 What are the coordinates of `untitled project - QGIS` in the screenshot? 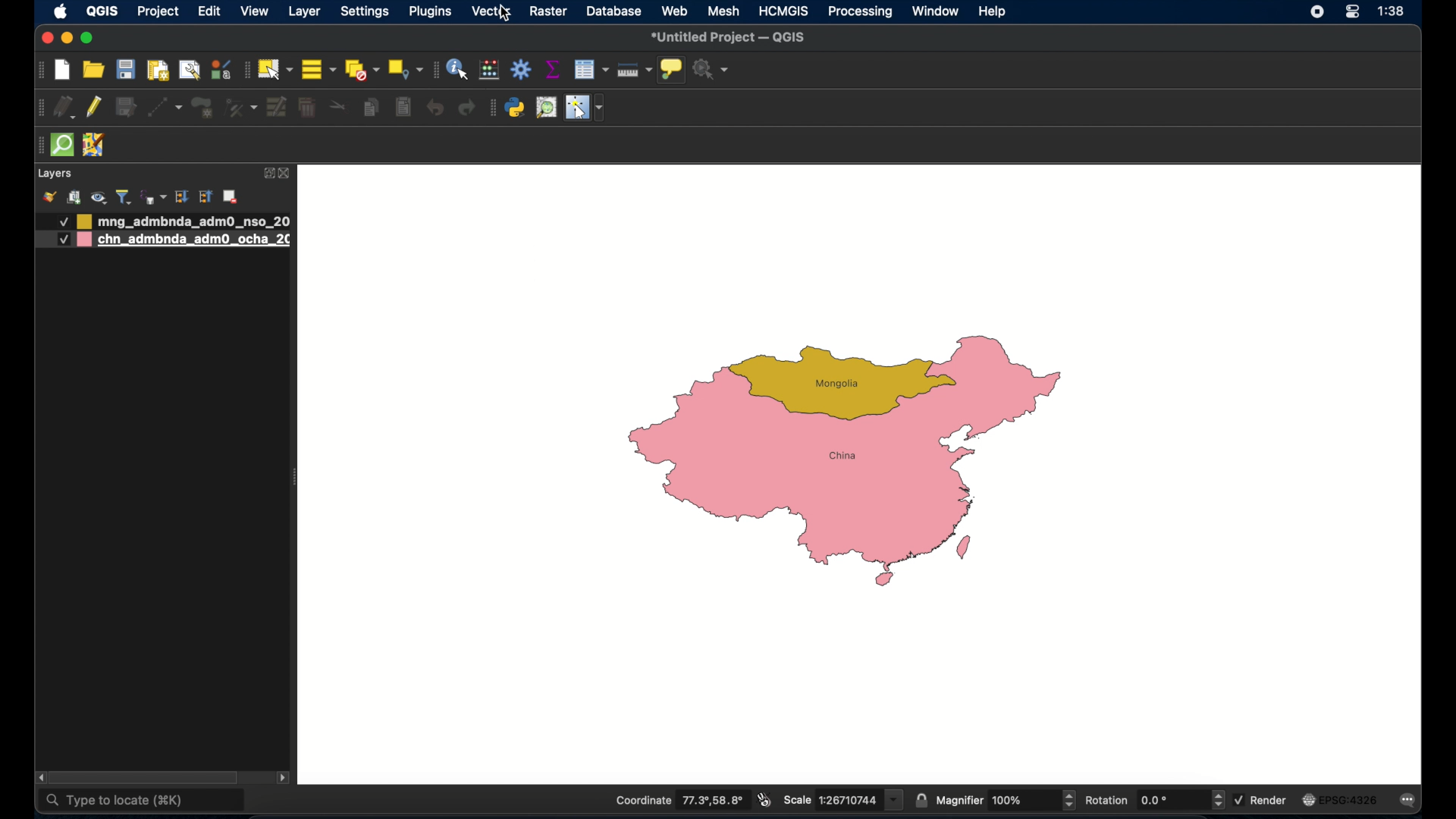 It's located at (730, 39).